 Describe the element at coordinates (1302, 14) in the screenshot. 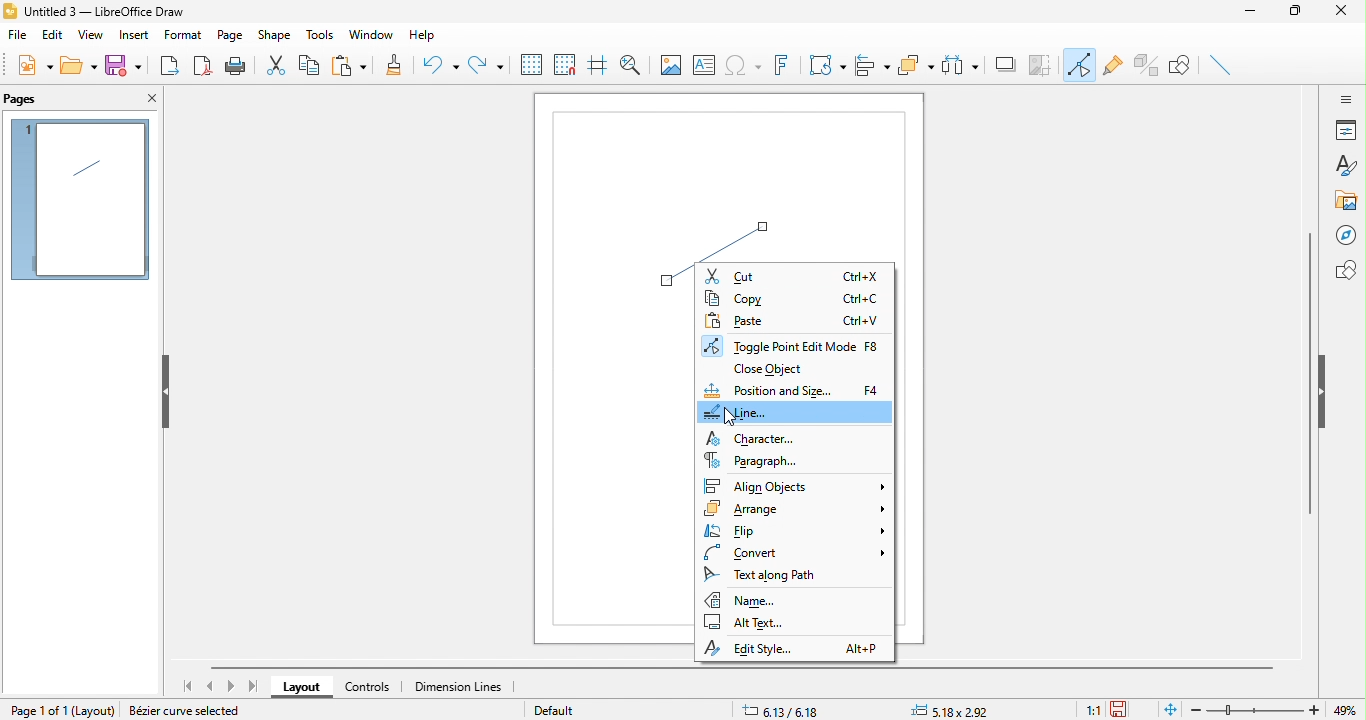

I see `maximize` at that location.